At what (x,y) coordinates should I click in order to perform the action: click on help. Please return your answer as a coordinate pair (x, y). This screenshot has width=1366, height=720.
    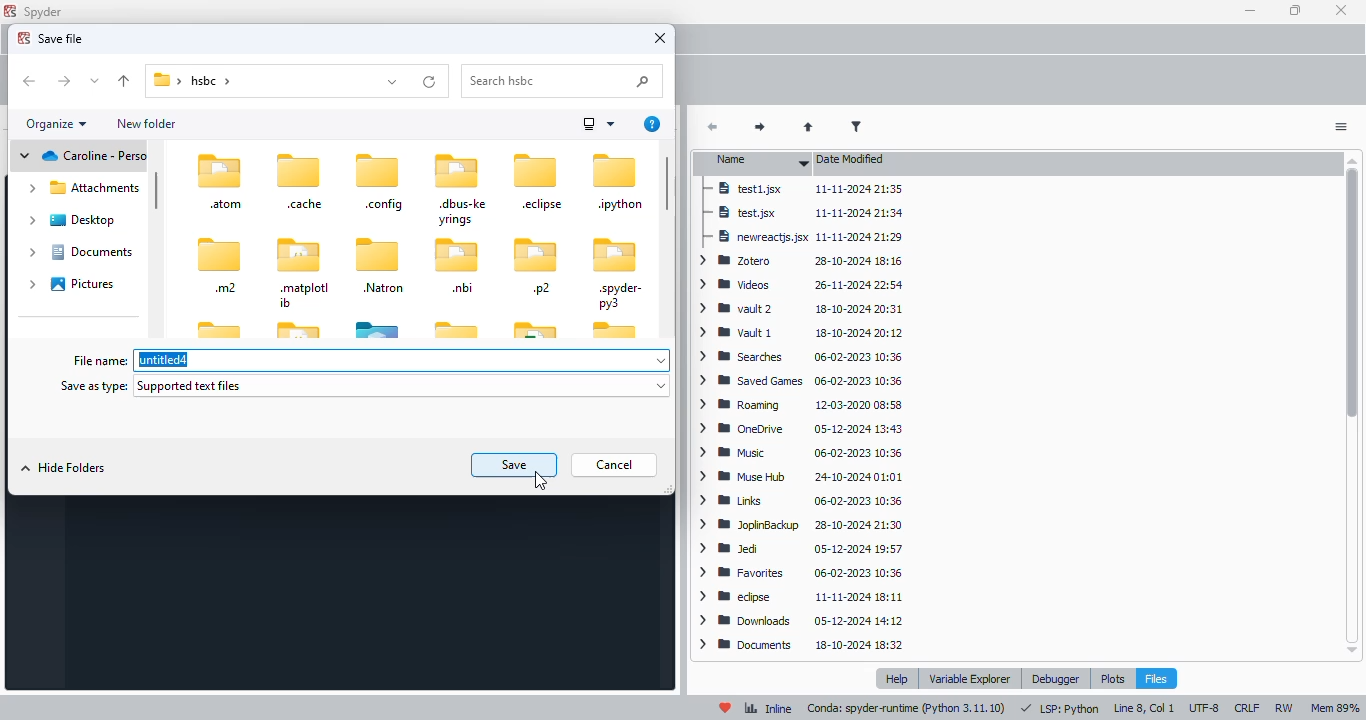
    Looking at the image, I should click on (896, 679).